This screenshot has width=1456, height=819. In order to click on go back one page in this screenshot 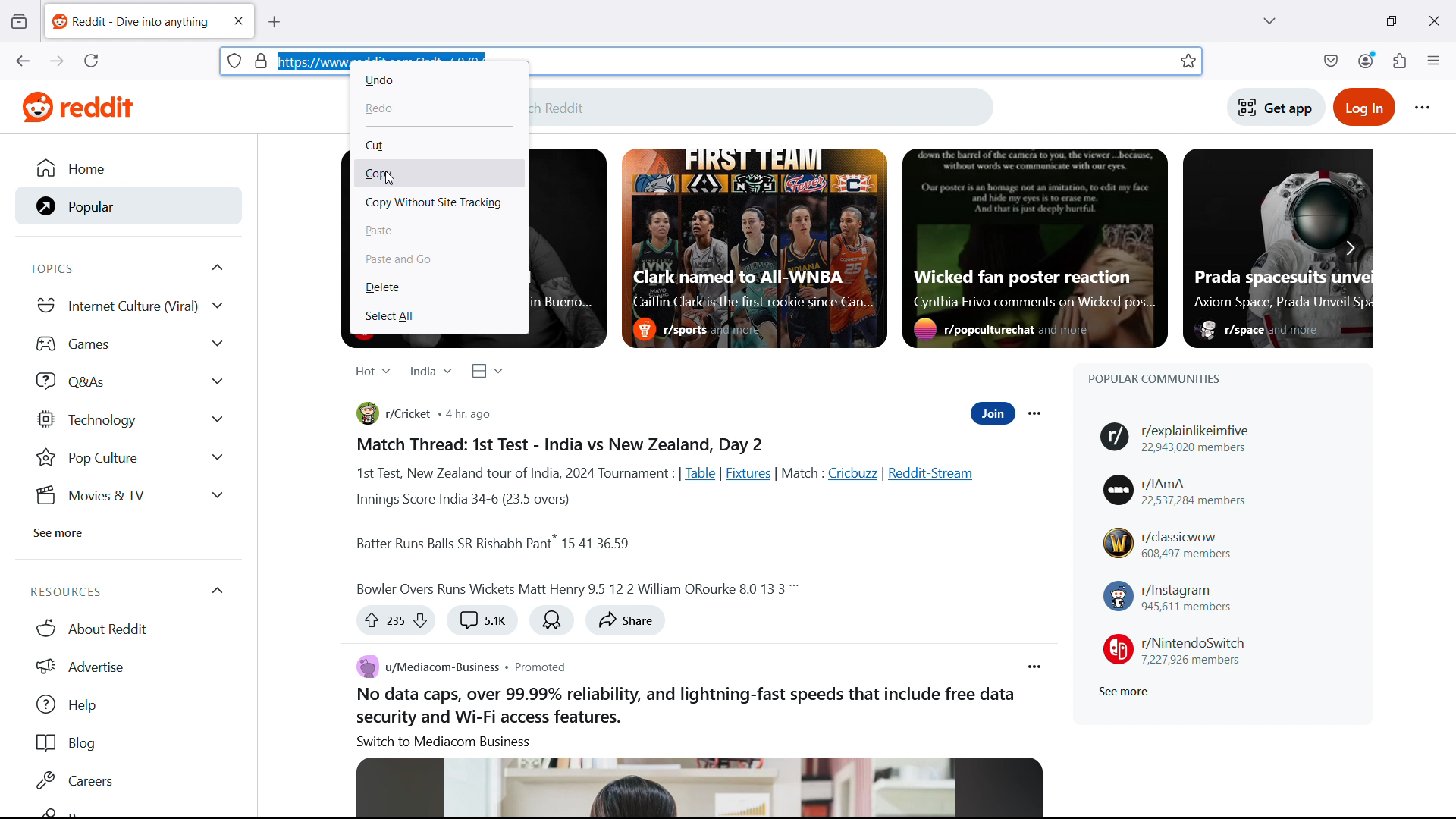, I will do `click(22, 60)`.